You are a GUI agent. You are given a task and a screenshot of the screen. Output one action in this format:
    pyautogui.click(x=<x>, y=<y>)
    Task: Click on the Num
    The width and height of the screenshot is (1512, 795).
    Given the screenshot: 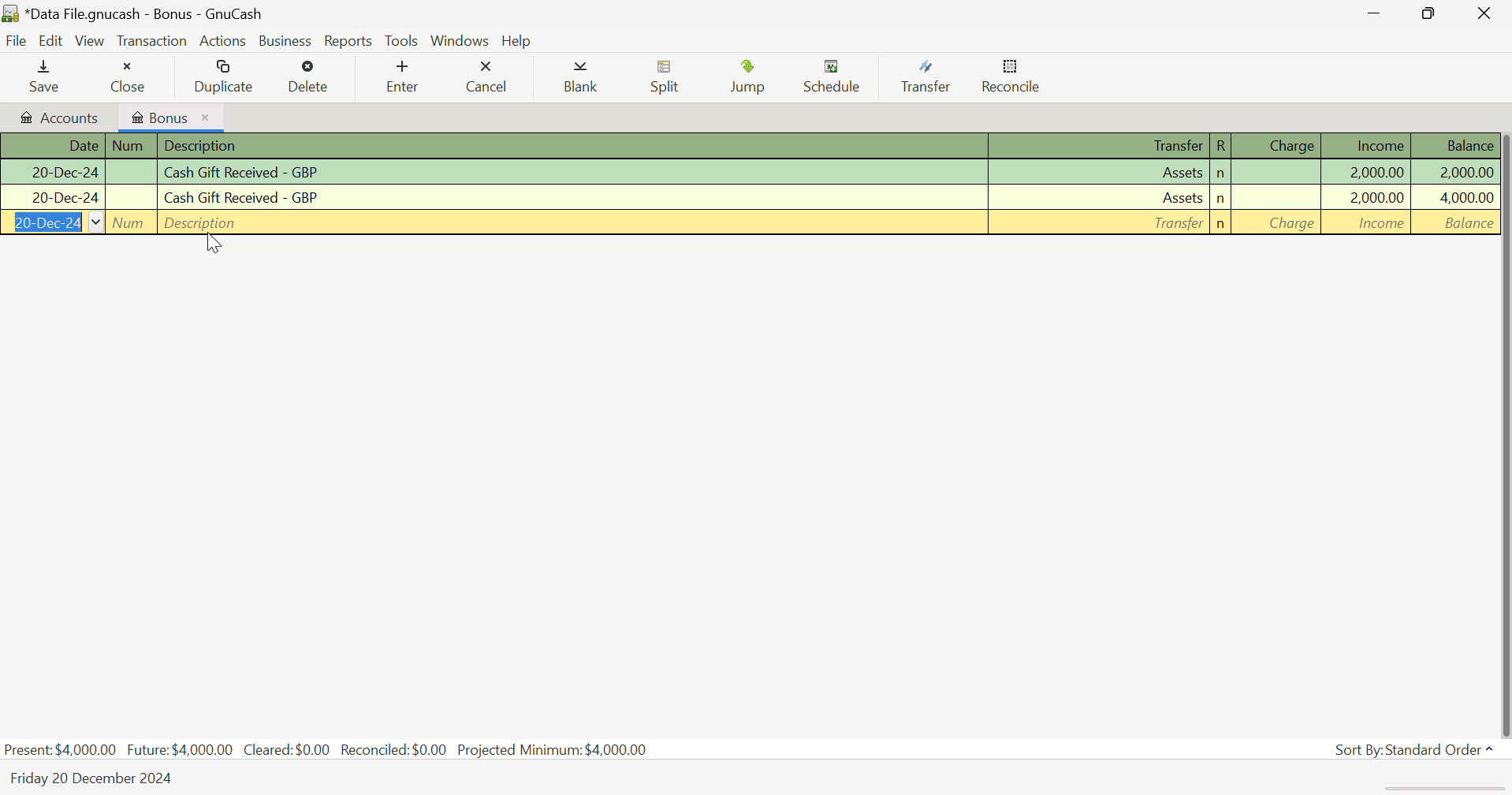 What is the action you would take?
    pyautogui.click(x=130, y=222)
    